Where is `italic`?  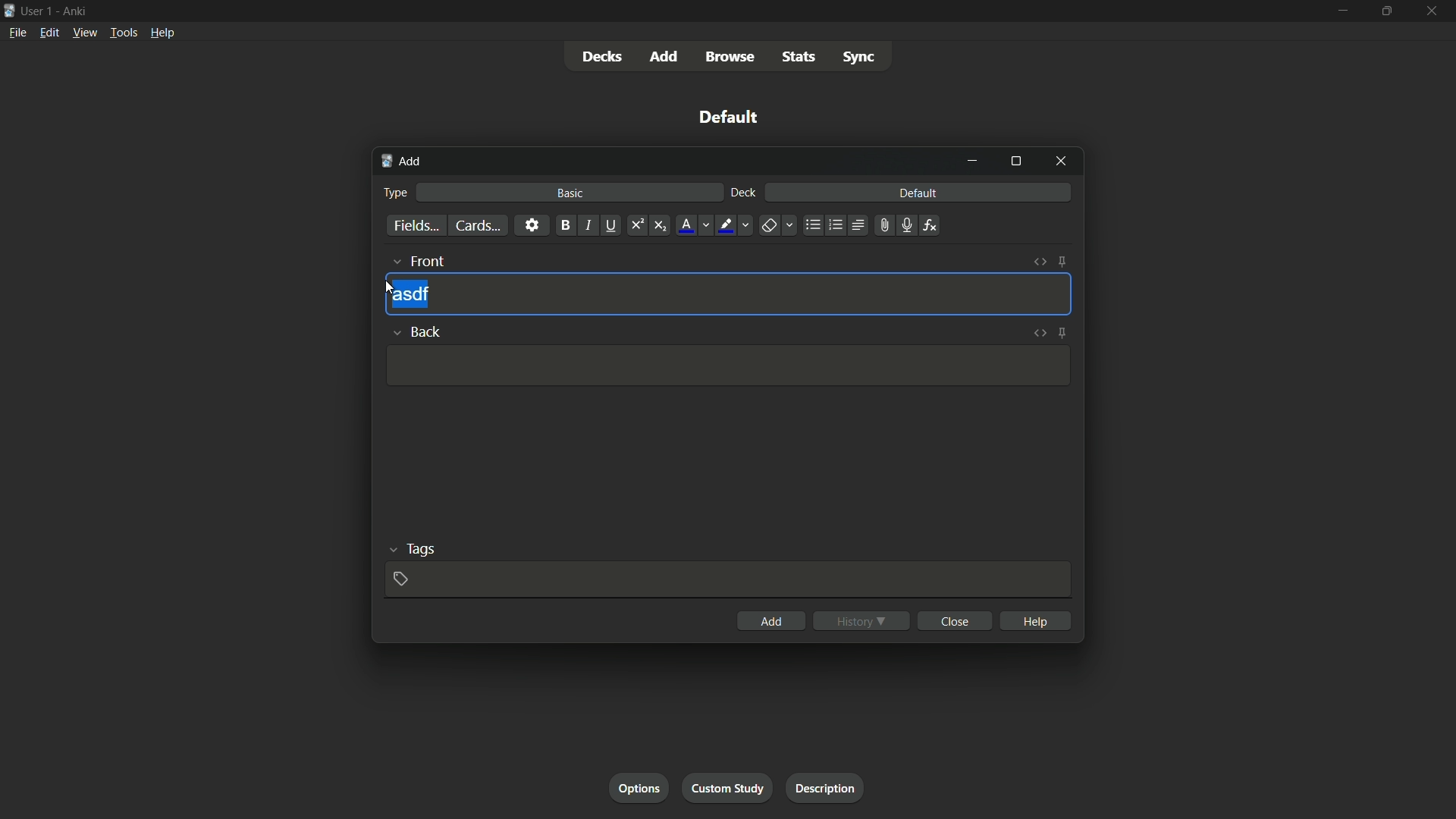 italic is located at coordinates (587, 224).